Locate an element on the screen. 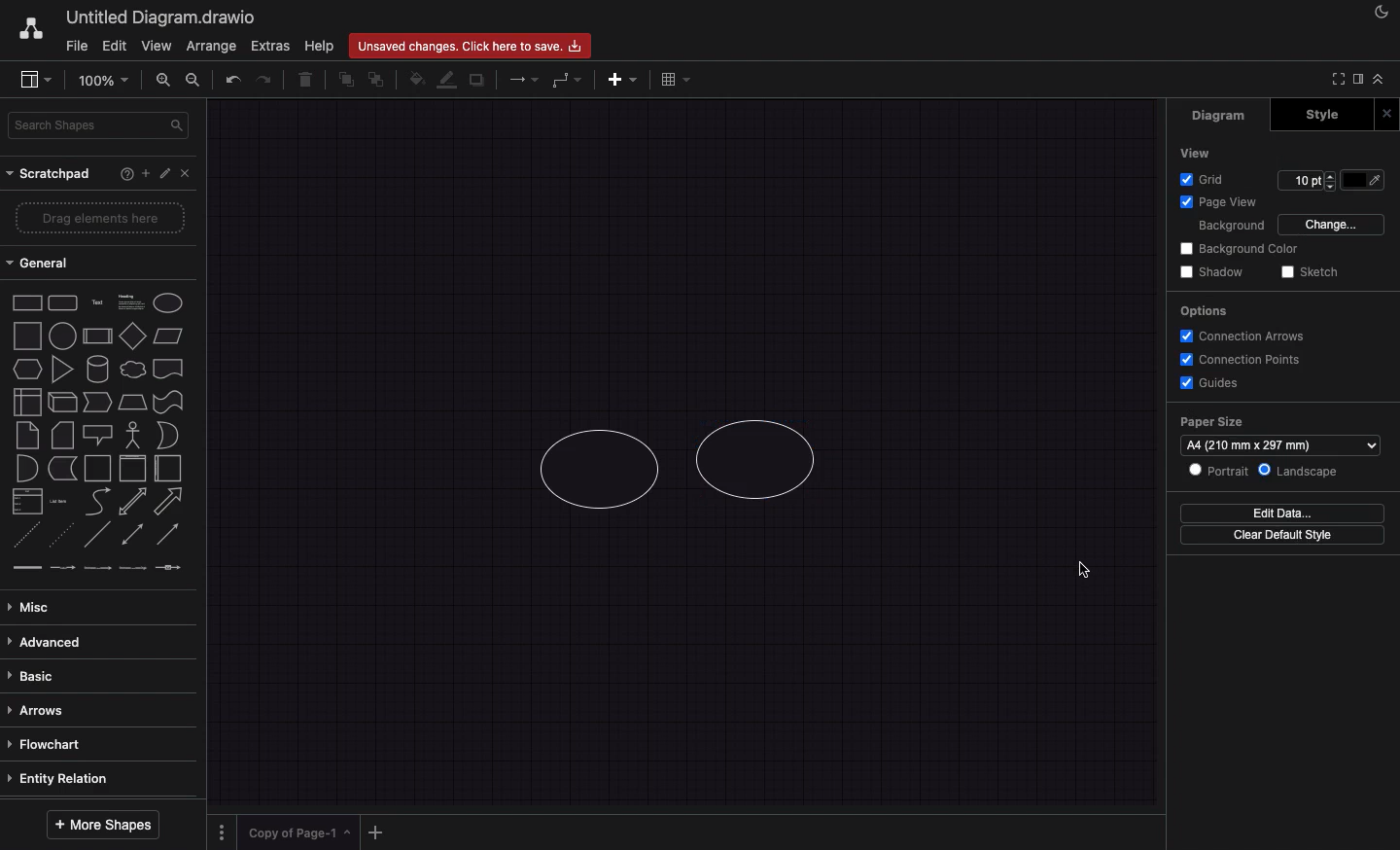 The width and height of the screenshot is (1400, 850). arrow is located at coordinates (170, 502).